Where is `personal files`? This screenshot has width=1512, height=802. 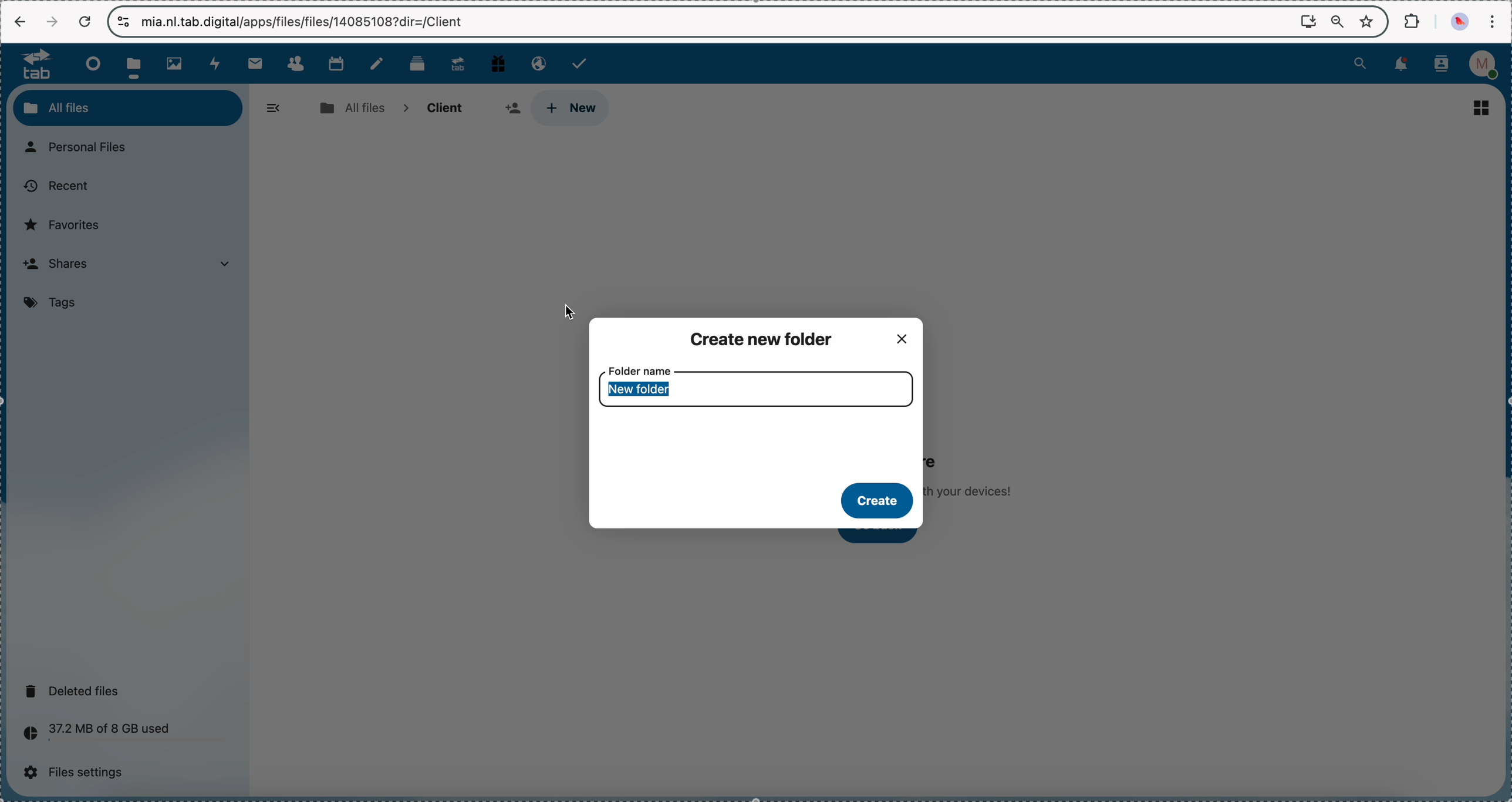 personal files is located at coordinates (82, 148).